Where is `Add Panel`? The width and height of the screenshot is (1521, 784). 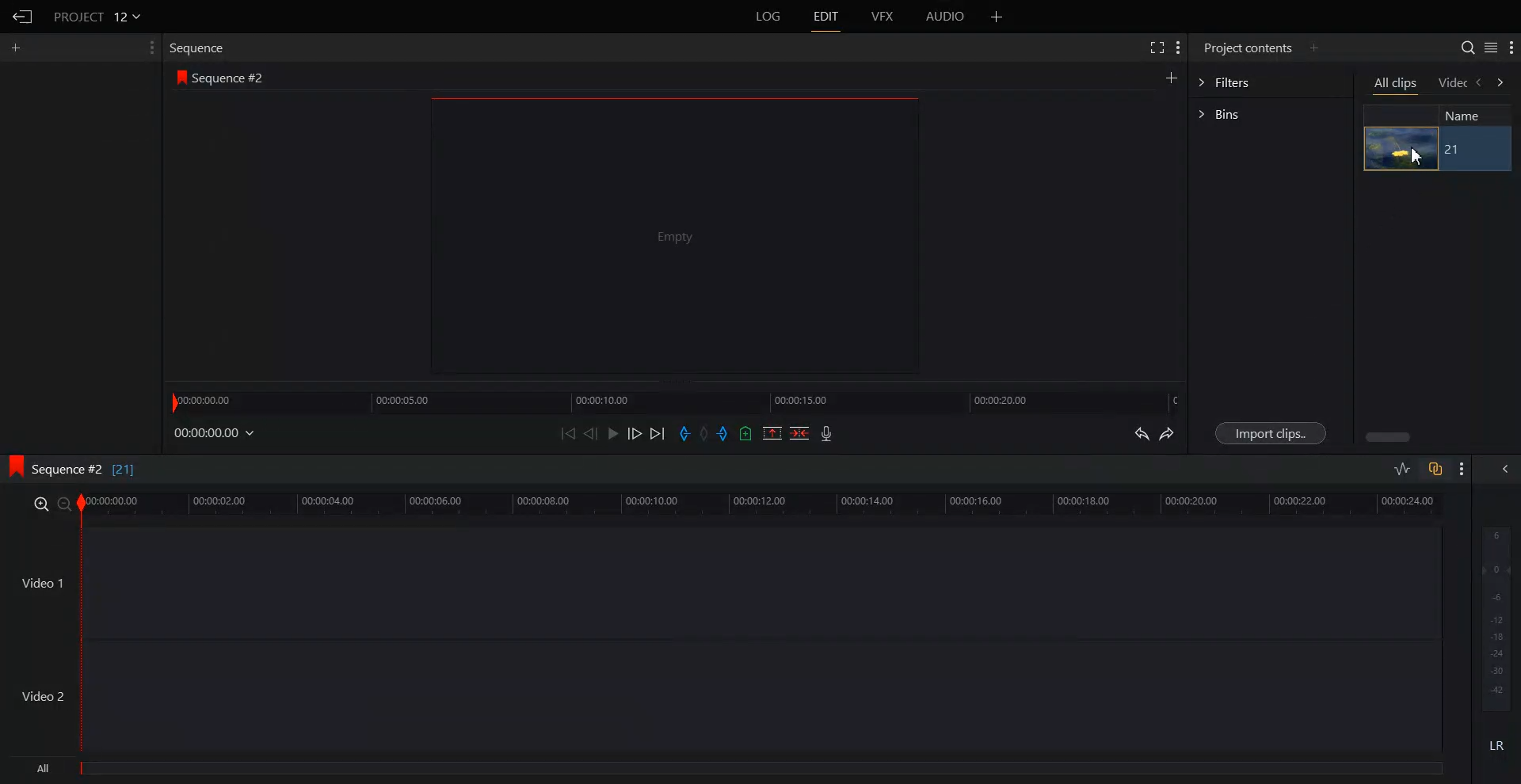 Add Panel is located at coordinates (1314, 47).